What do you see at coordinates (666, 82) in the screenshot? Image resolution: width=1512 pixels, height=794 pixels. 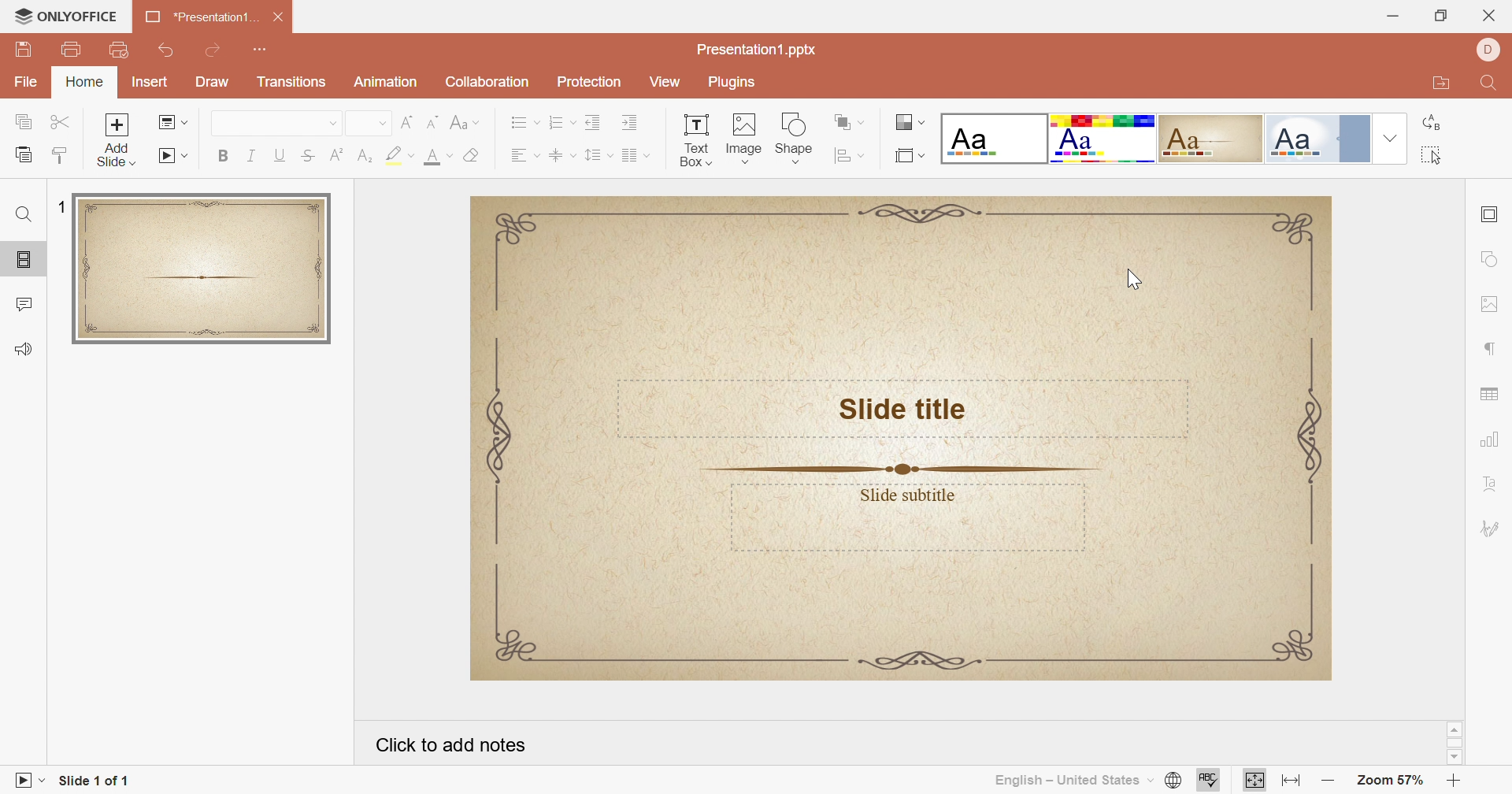 I see `View` at bounding box center [666, 82].